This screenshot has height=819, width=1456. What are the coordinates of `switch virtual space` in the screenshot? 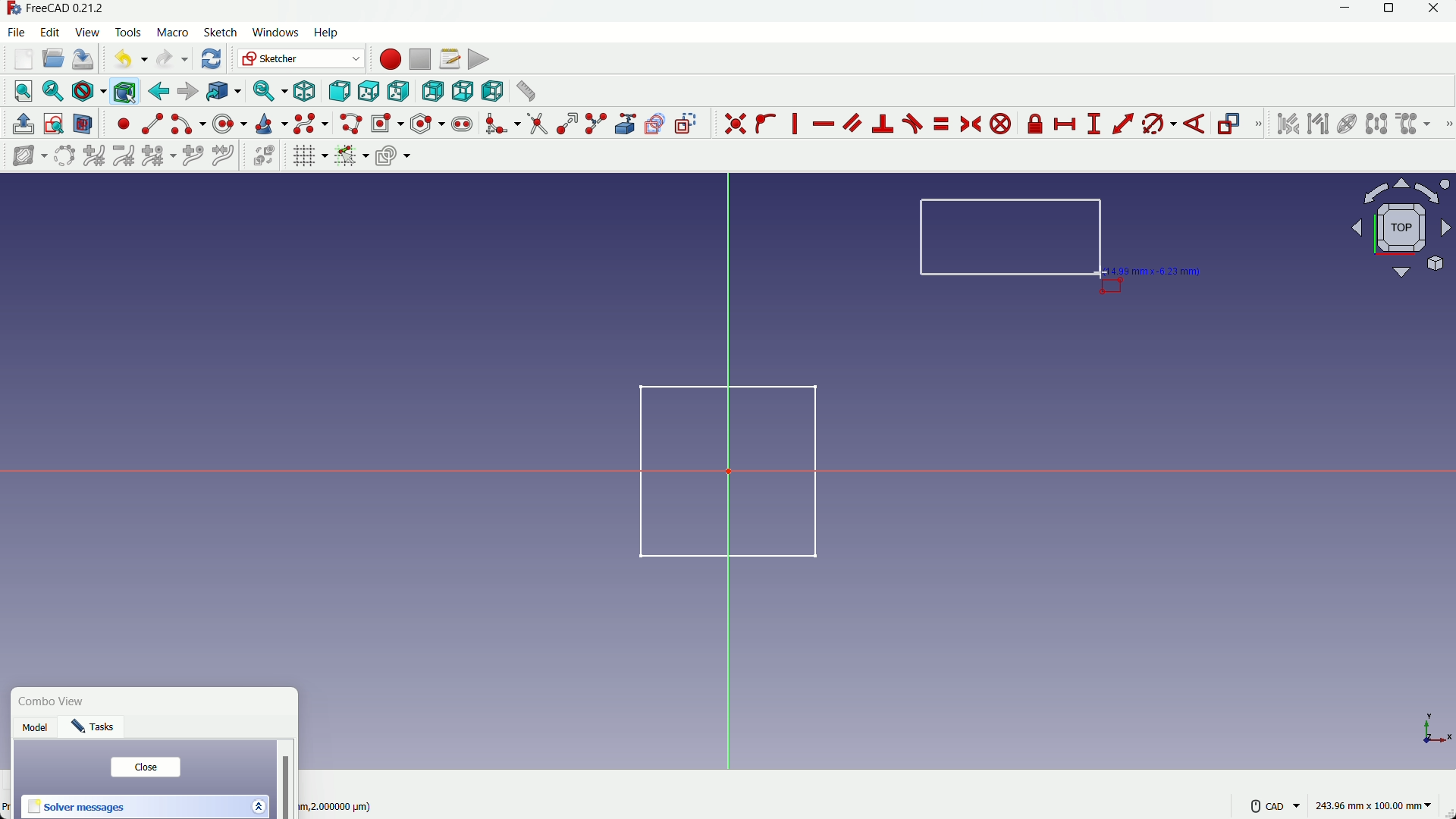 It's located at (265, 156).